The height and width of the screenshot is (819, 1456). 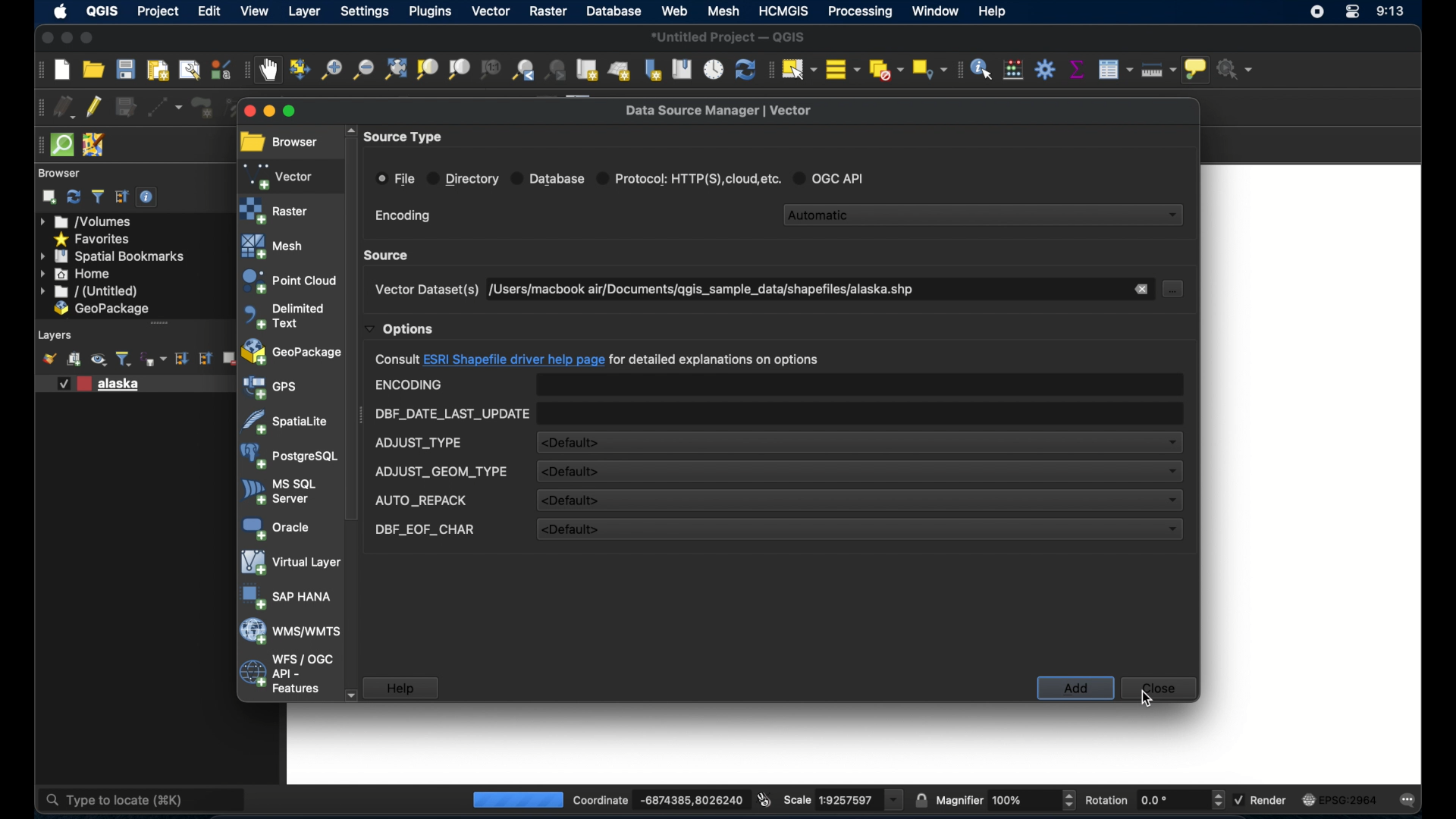 What do you see at coordinates (548, 177) in the screenshot?
I see `database radio button` at bounding box center [548, 177].